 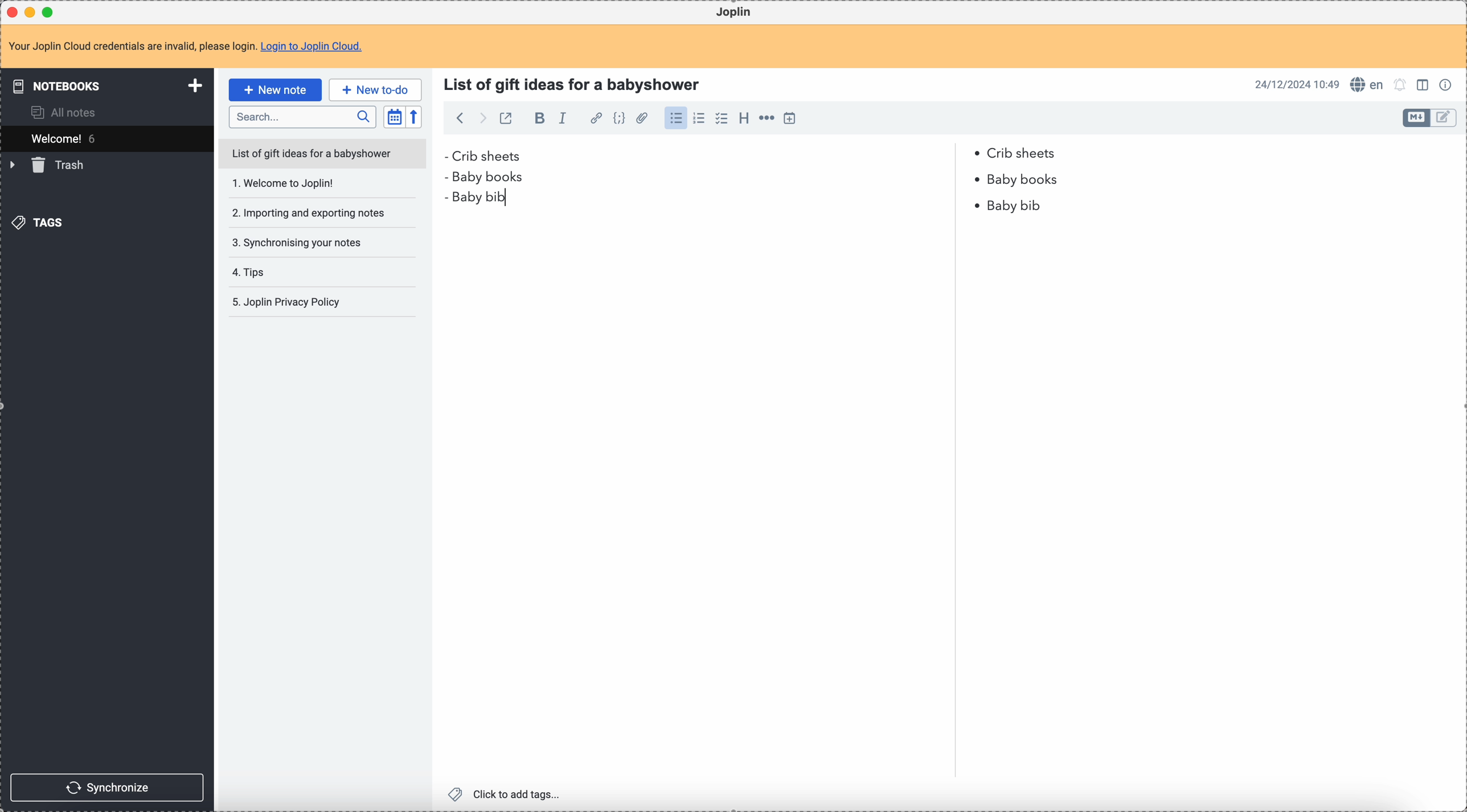 What do you see at coordinates (702, 119) in the screenshot?
I see `numbered list` at bounding box center [702, 119].